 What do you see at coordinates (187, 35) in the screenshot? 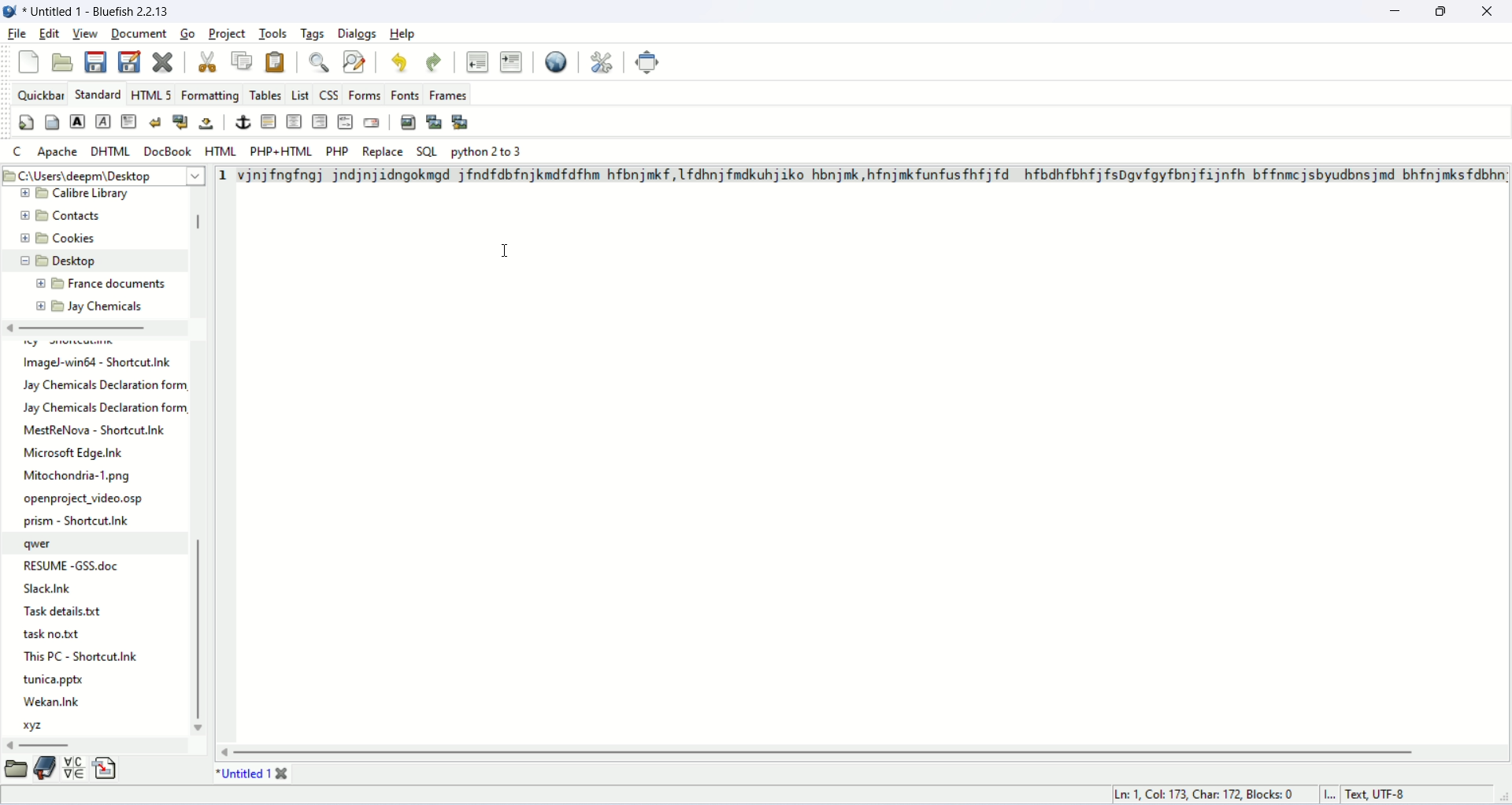
I see `go` at bounding box center [187, 35].